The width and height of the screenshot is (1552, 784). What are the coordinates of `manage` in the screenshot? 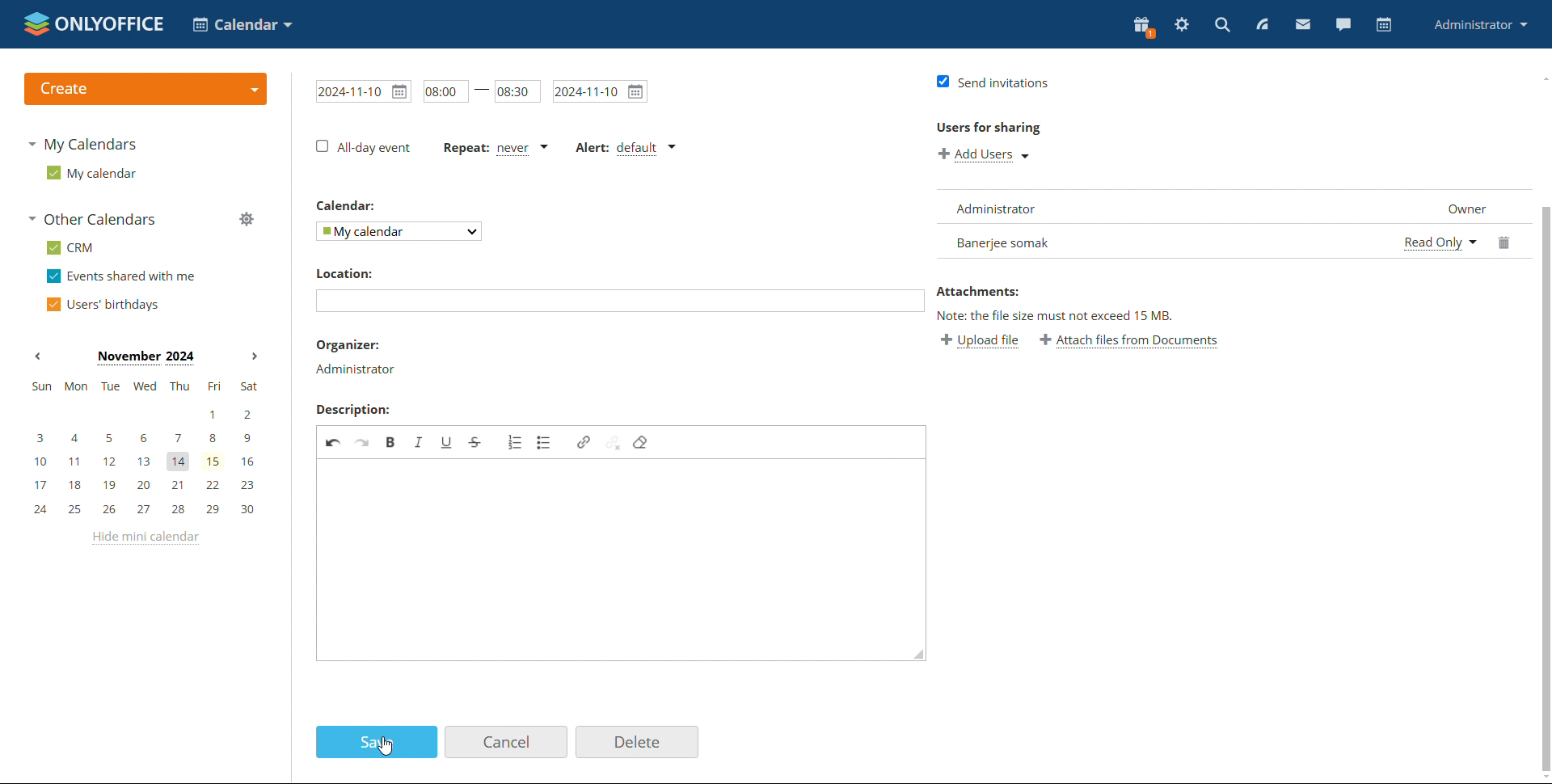 It's located at (246, 218).